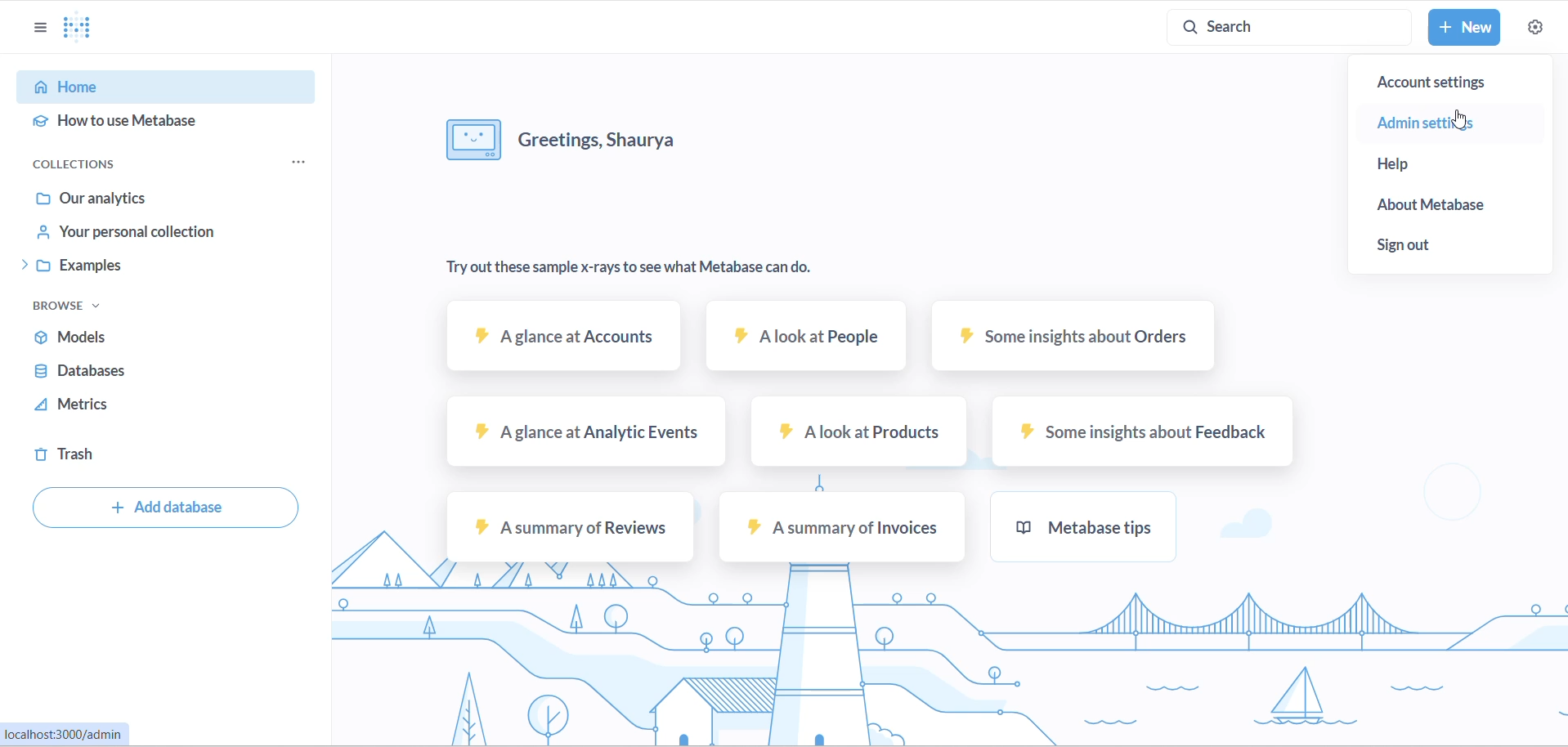 Image resolution: width=1568 pixels, height=747 pixels. Describe the element at coordinates (40, 28) in the screenshot. I see `options` at that location.